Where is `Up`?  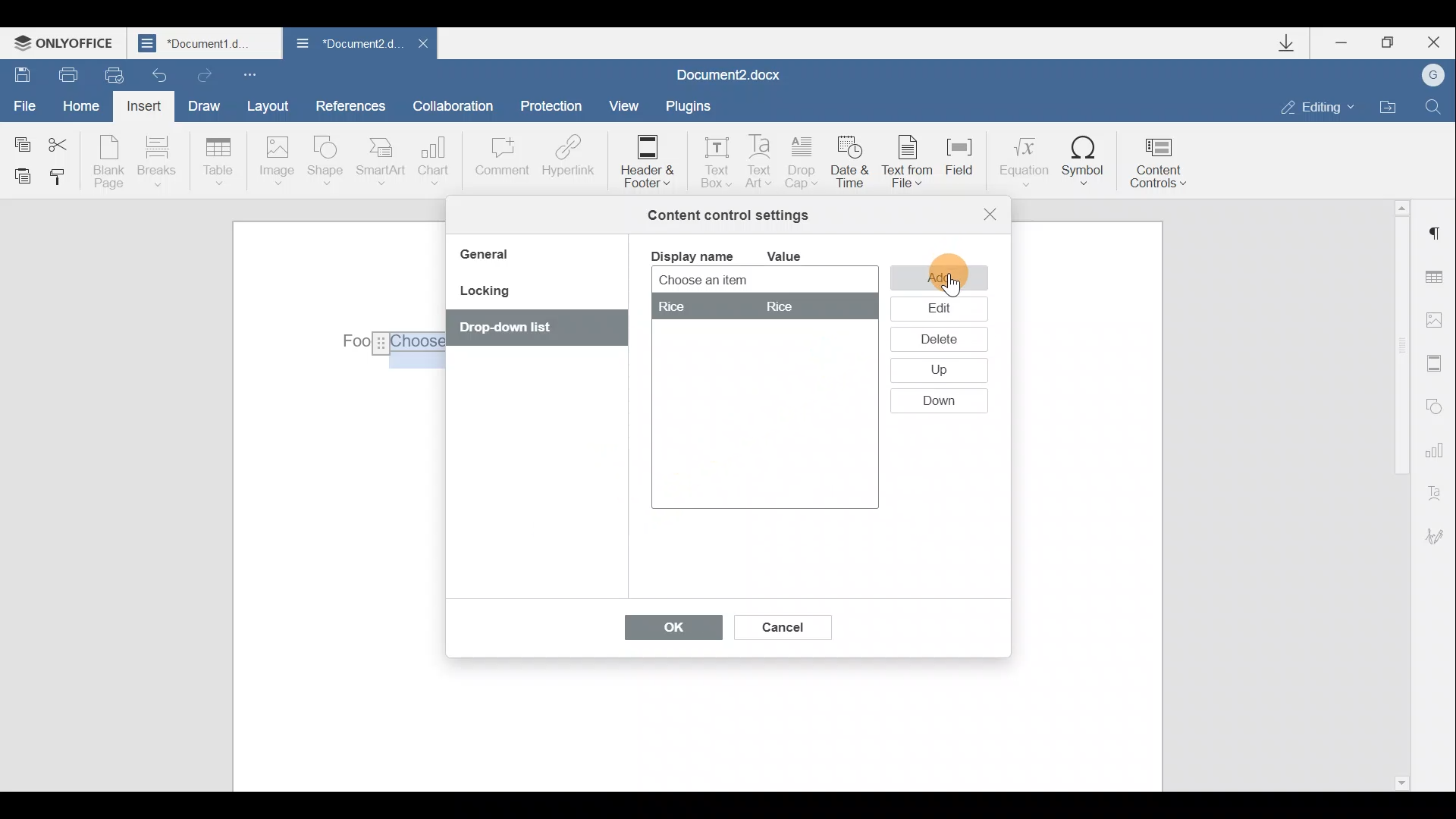
Up is located at coordinates (937, 372).